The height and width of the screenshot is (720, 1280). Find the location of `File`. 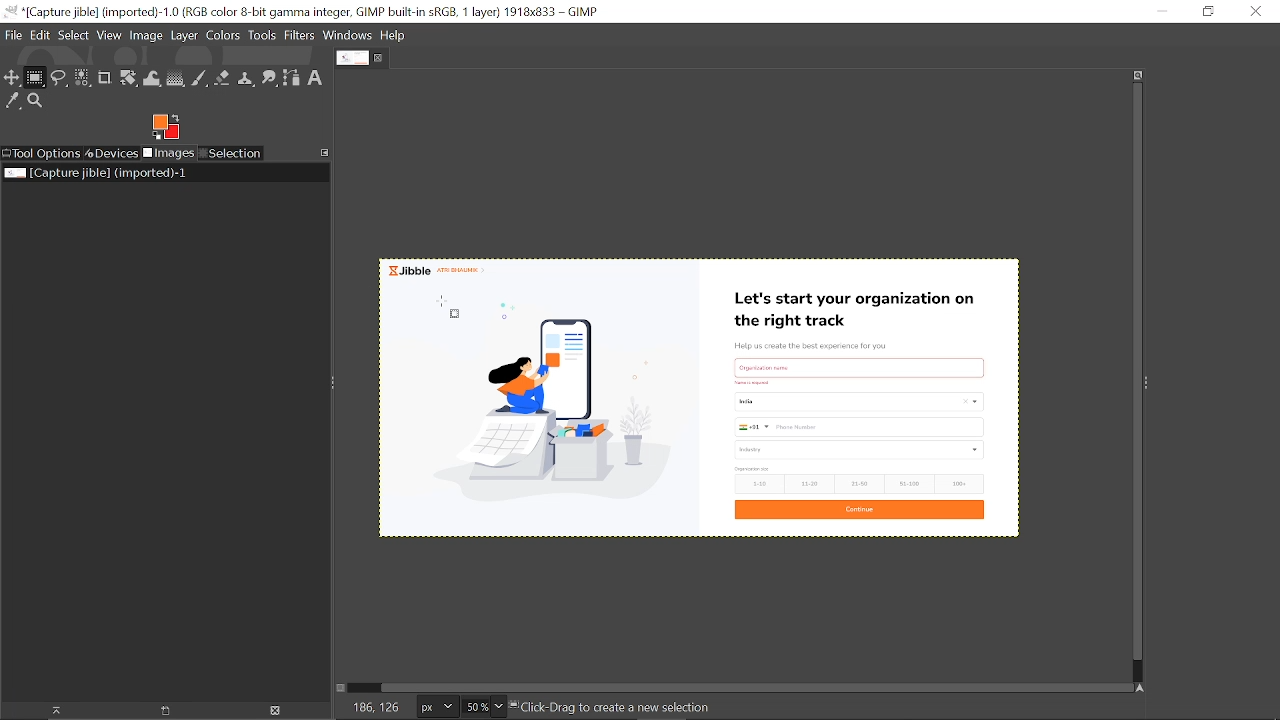

File is located at coordinates (12, 37).